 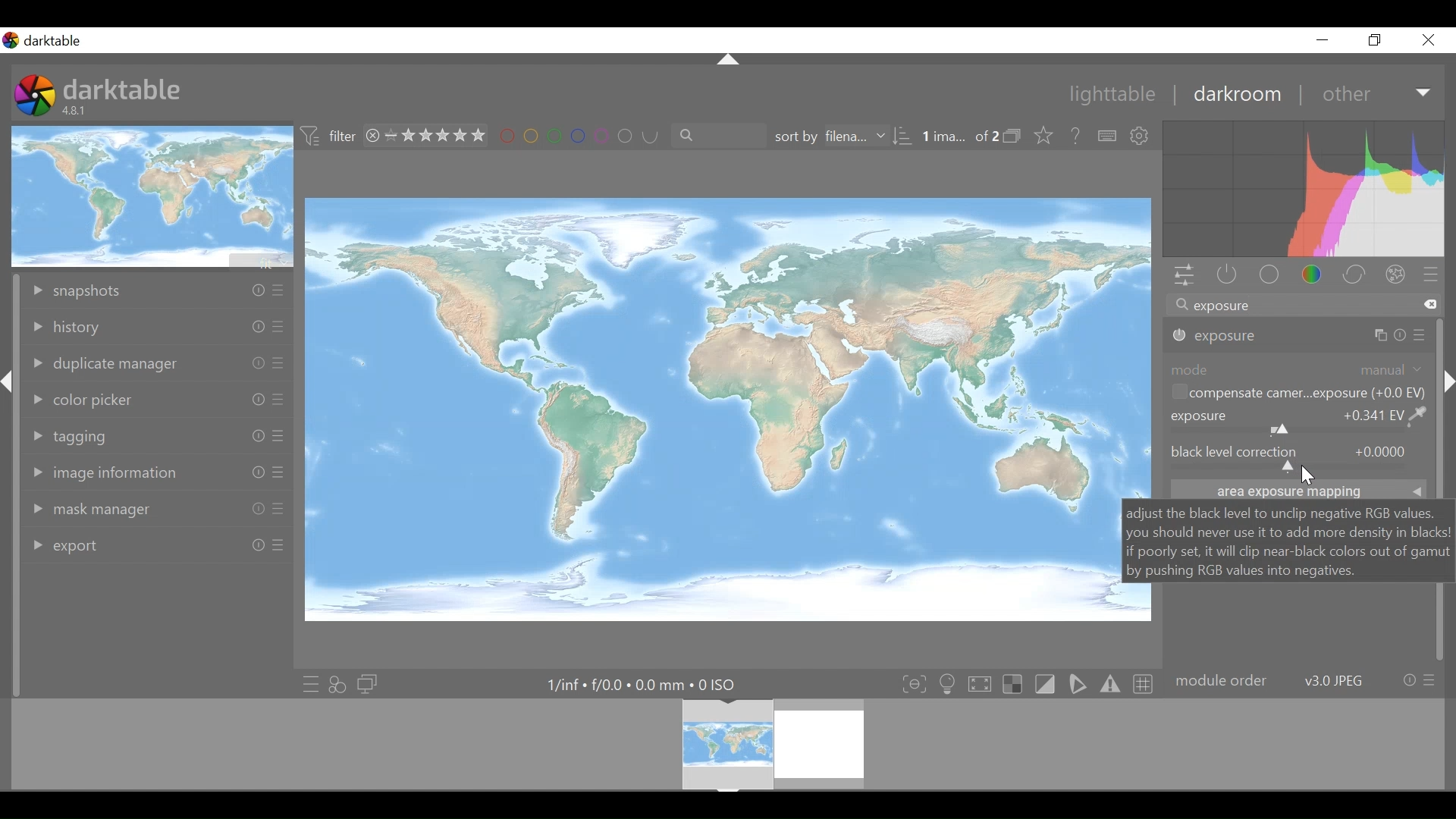 What do you see at coordinates (1075, 134) in the screenshot?
I see `Help` at bounding box center [1075, 134].